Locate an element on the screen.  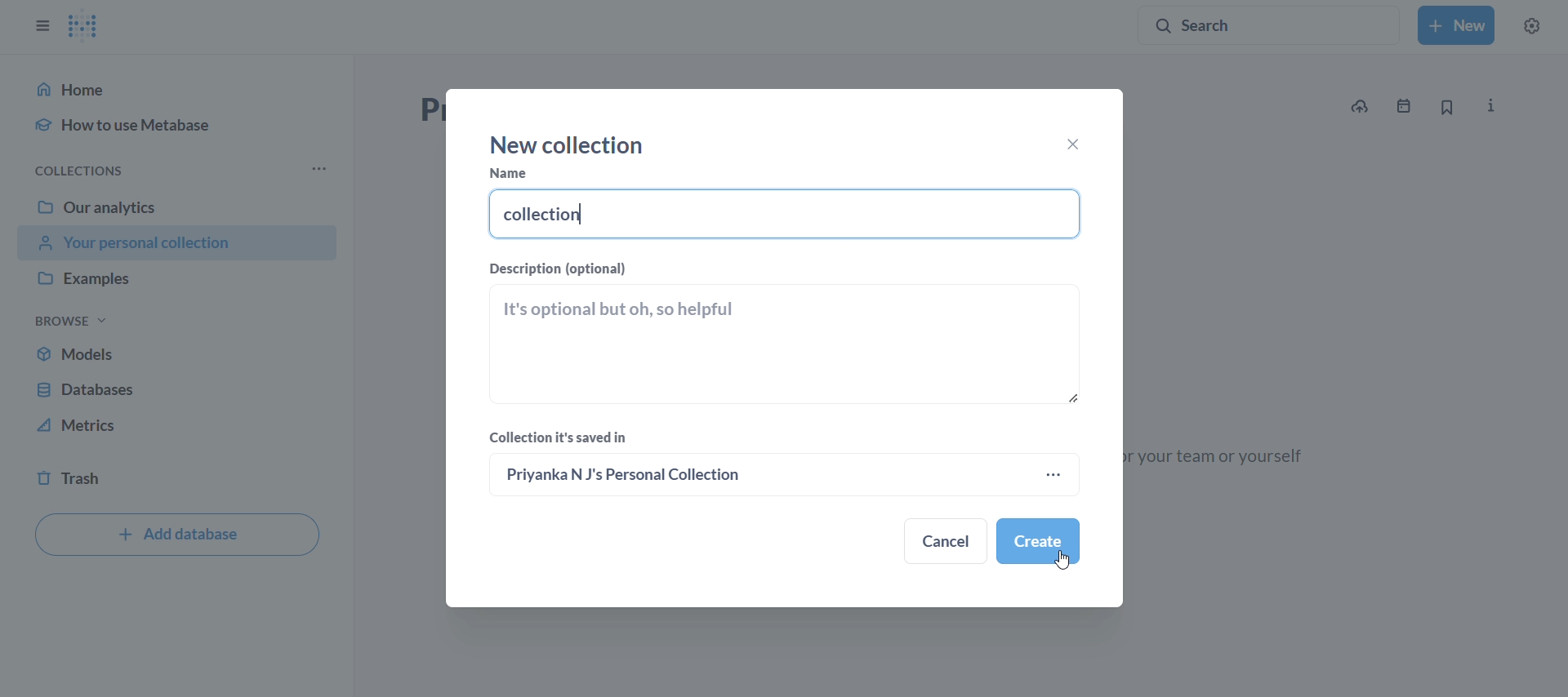
models is located at coordinates (176, 353).